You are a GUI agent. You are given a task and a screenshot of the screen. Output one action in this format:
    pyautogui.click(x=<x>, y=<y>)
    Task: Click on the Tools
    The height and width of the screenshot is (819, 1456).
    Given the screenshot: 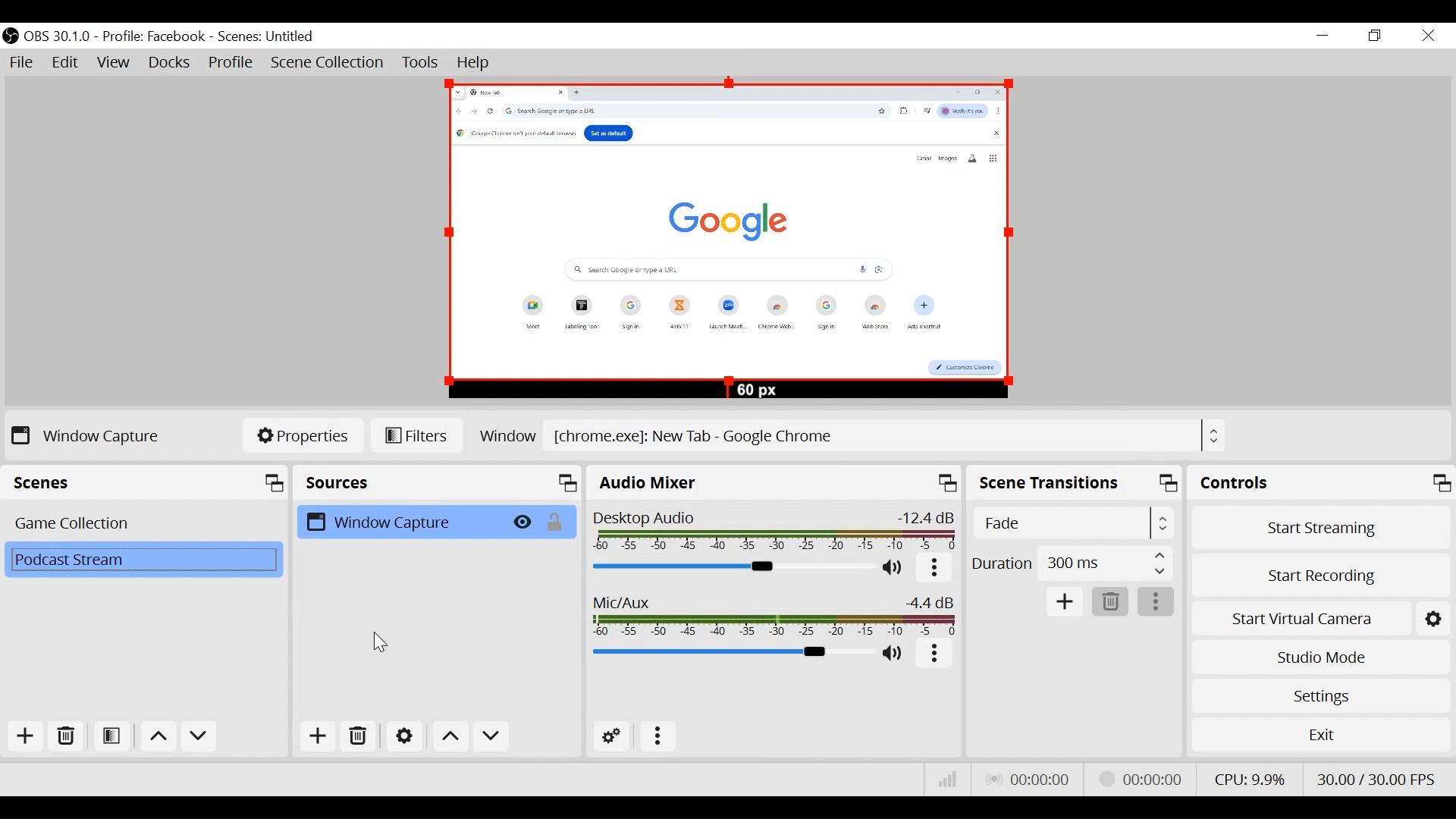 What is the action you would take?
    pyautogui.click(x=422, y=63)
    